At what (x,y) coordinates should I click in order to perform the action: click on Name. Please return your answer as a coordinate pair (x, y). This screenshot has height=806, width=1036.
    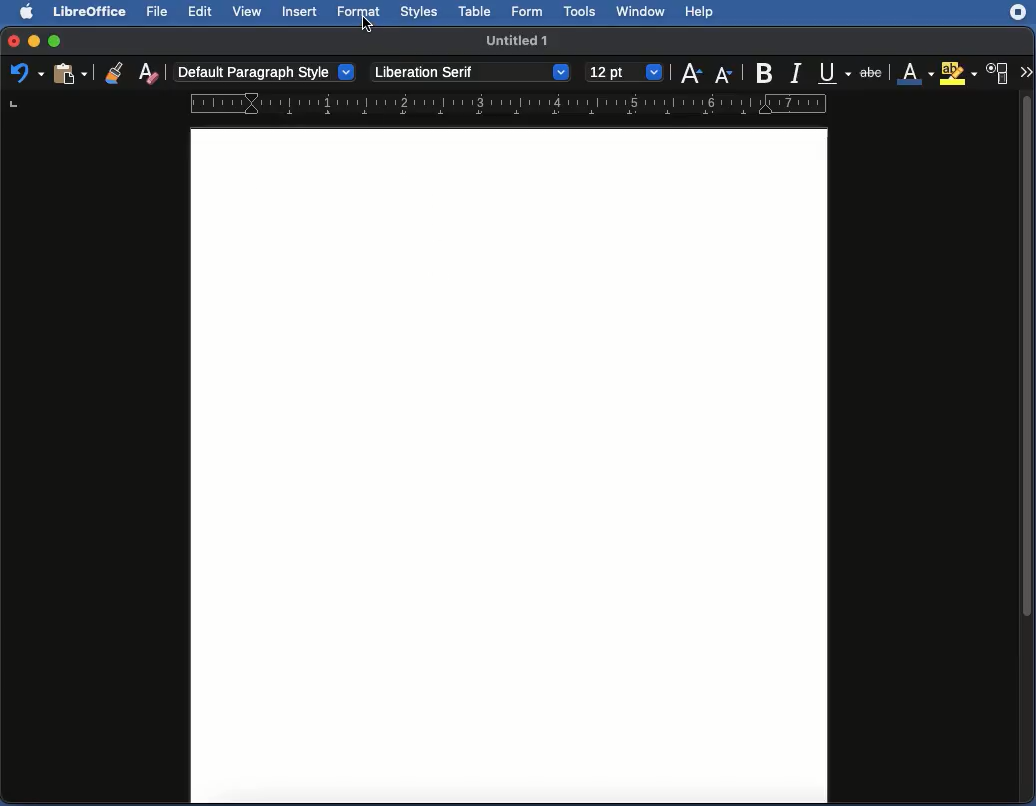
    Looking at the image, I should click on (517, 40).